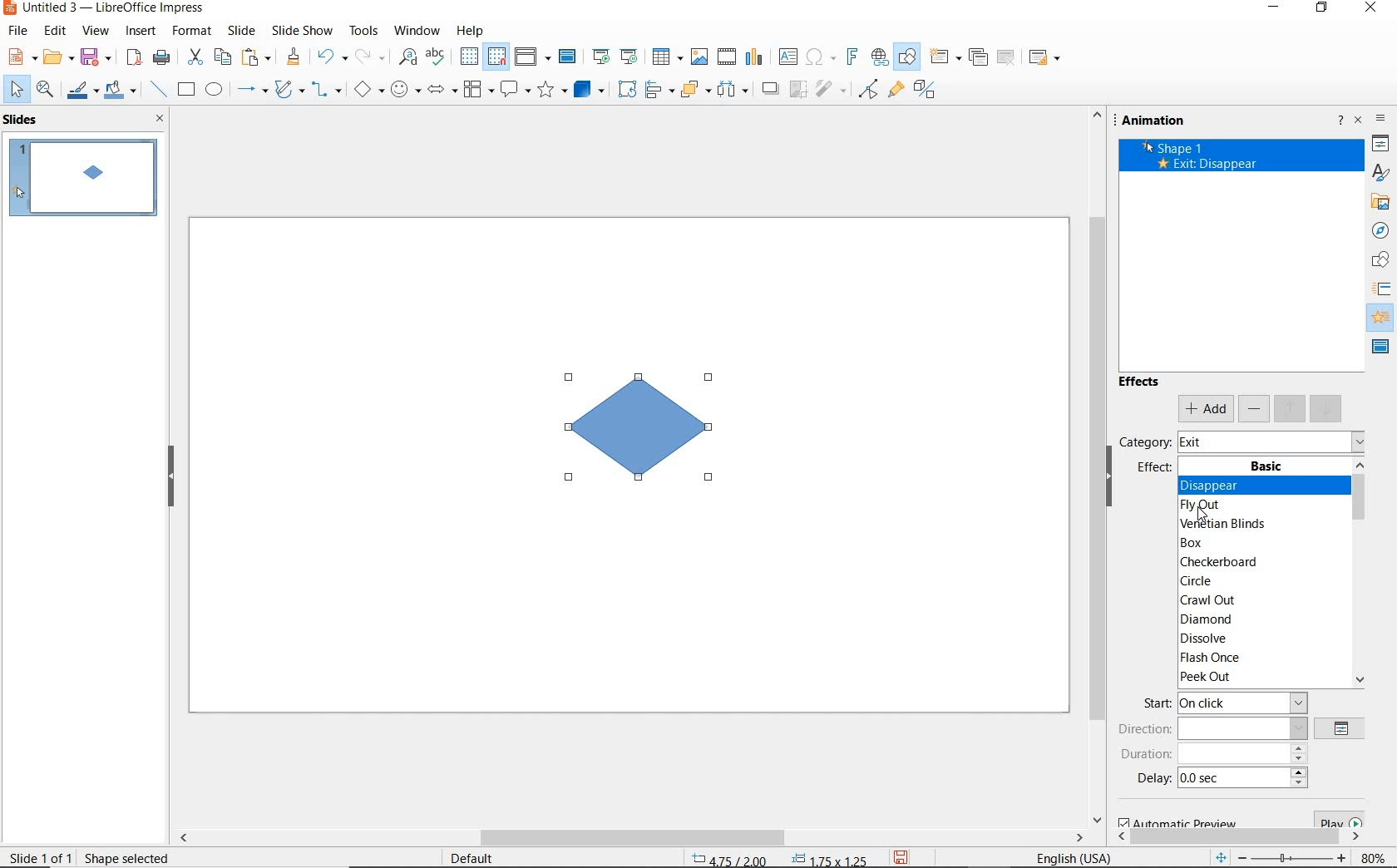 This screenshot has height=868, width=1397. What do you see at coordinates (728, 59) in the screenshot?
I see `insert audio or video` at bounding box center [728, 59].